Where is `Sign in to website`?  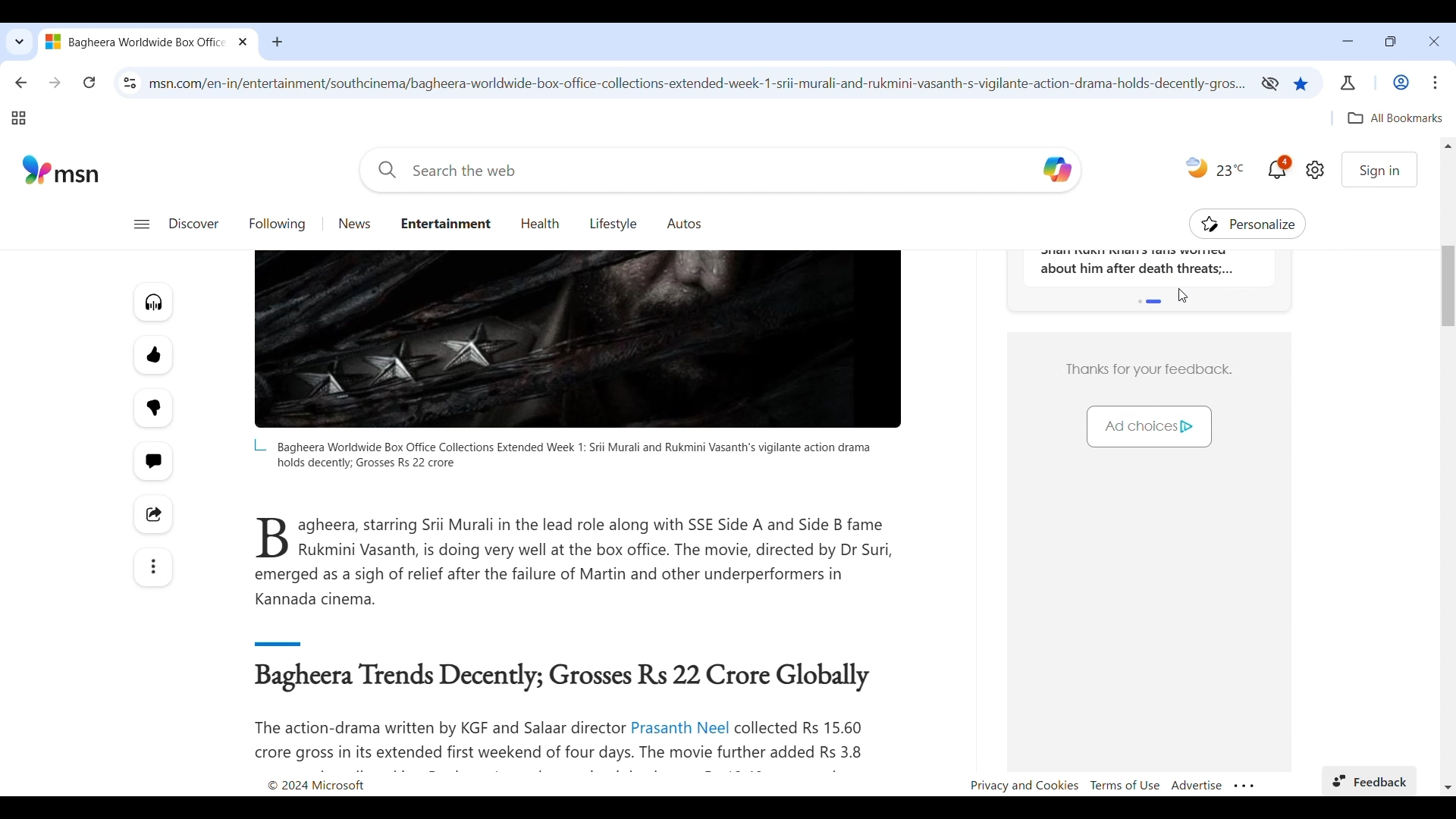 Sign in to website is located at coordinates (1379, 169).